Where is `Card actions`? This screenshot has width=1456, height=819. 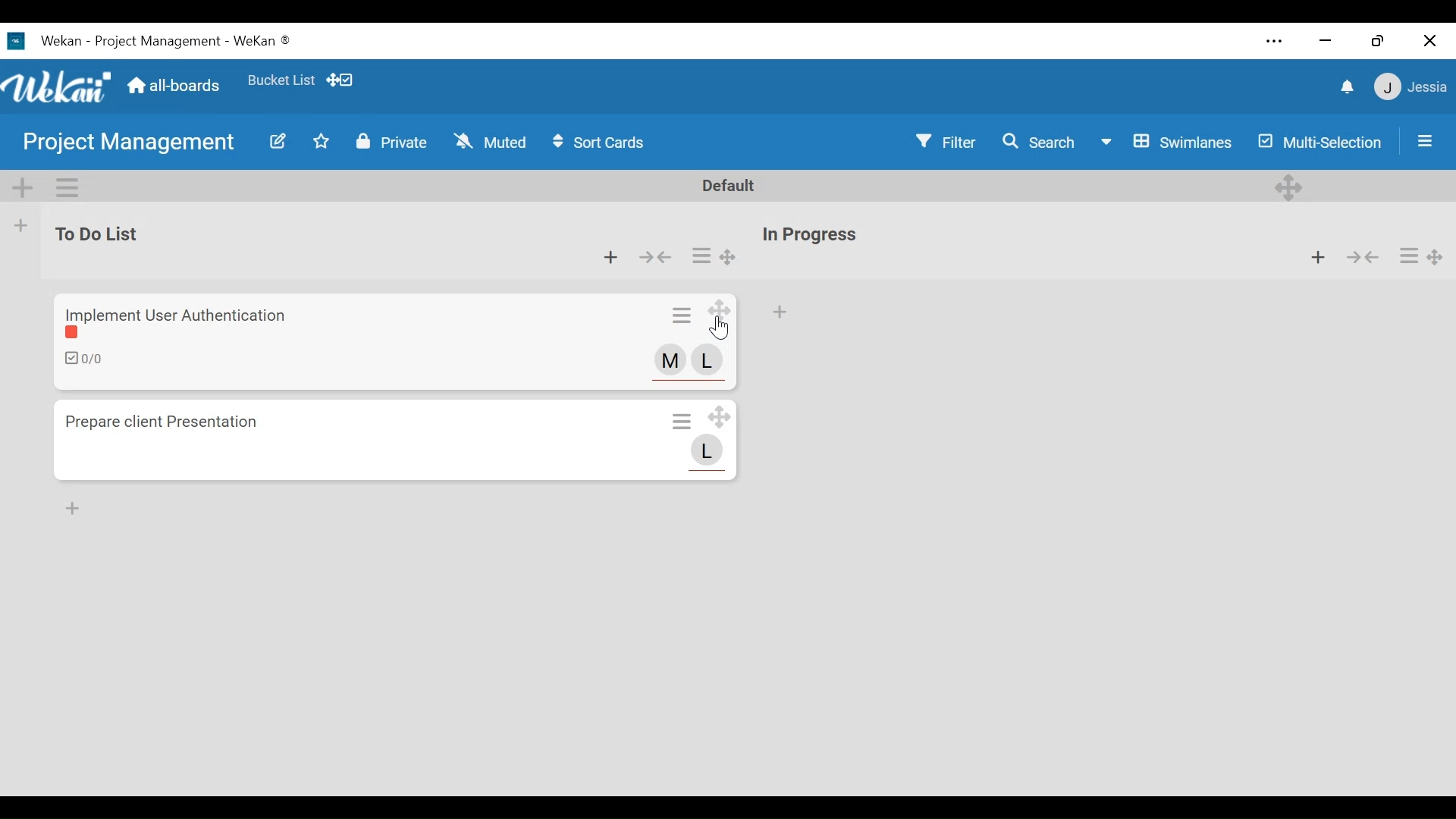
Card actions is located at coordinates (680, 420).